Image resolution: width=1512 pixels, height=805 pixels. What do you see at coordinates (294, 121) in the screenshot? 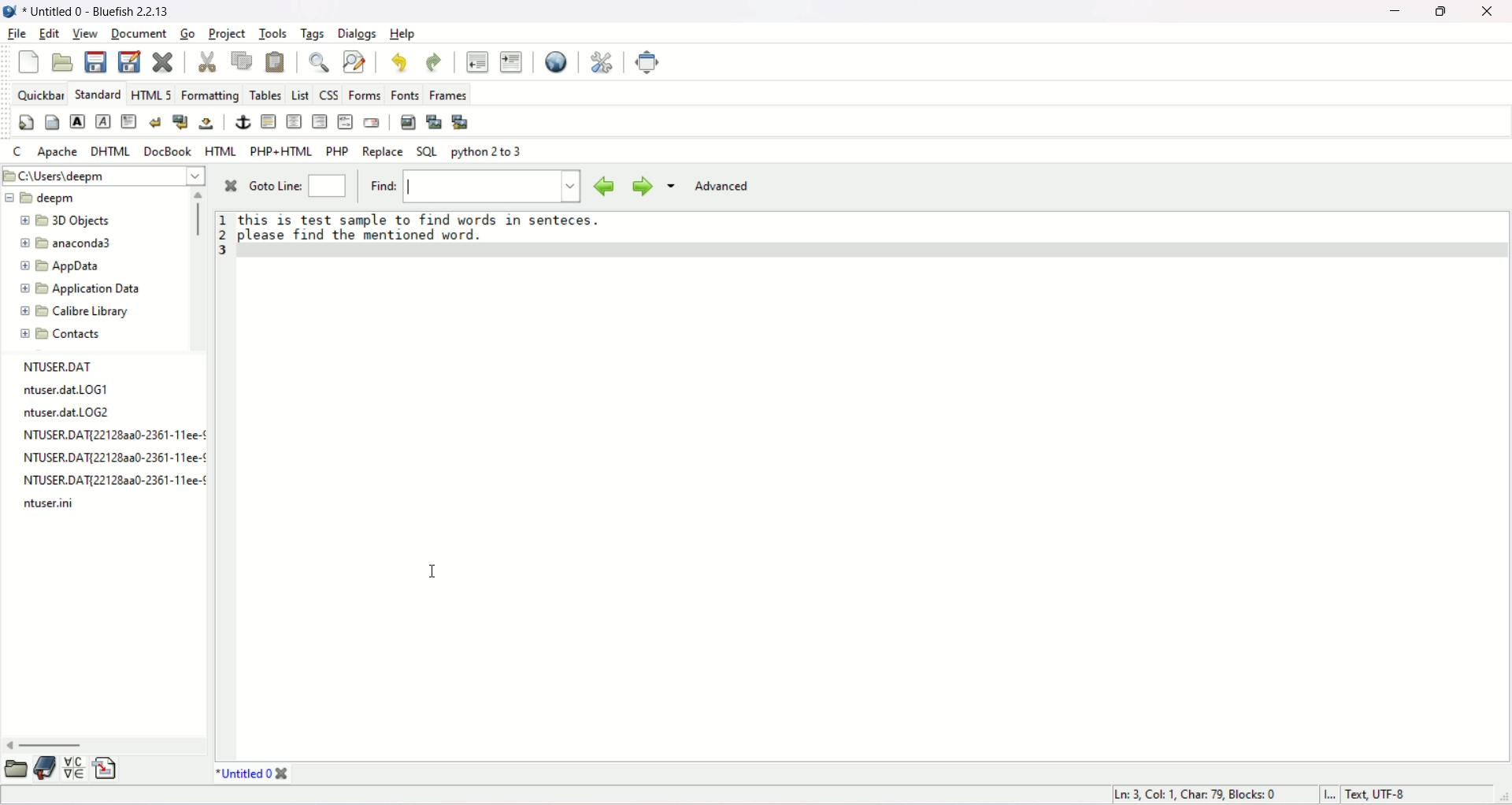
I see `center` at bounding box center [294, 121].